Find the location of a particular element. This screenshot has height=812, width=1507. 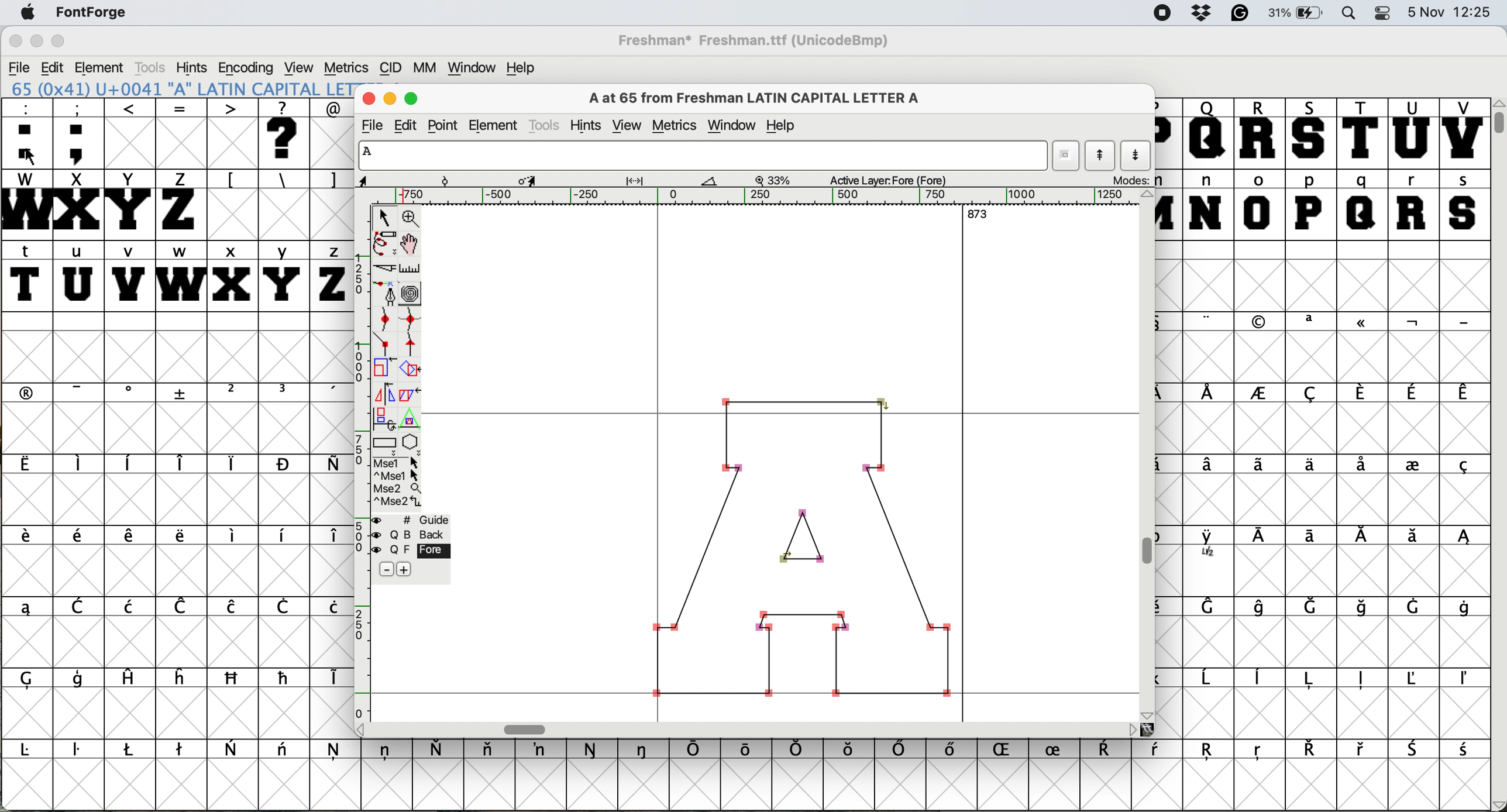

point is located at coordinates (444, 124).